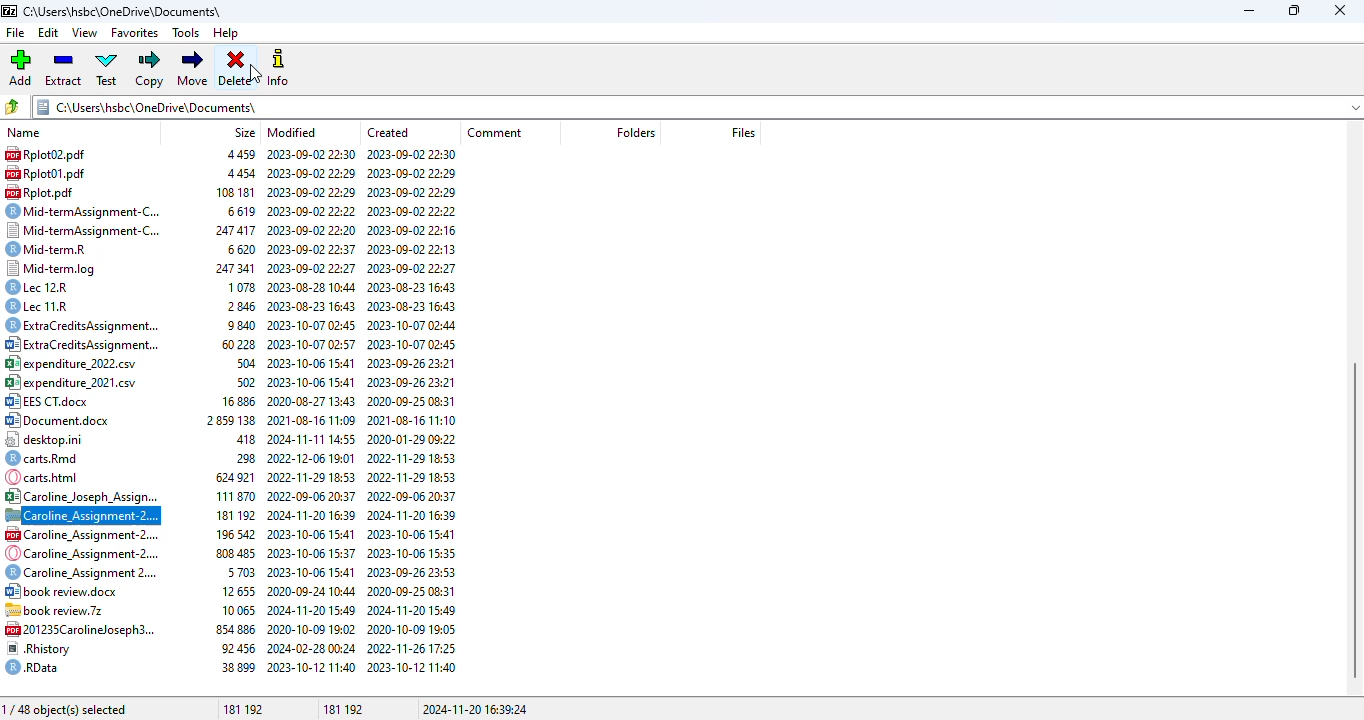 The width and height of the screenshot is (1364, 720). Describe the element at coordinates (83, 325) in the screenshot. I see `ExtraCr
© ExtraCreditsAssignment...` at that location.